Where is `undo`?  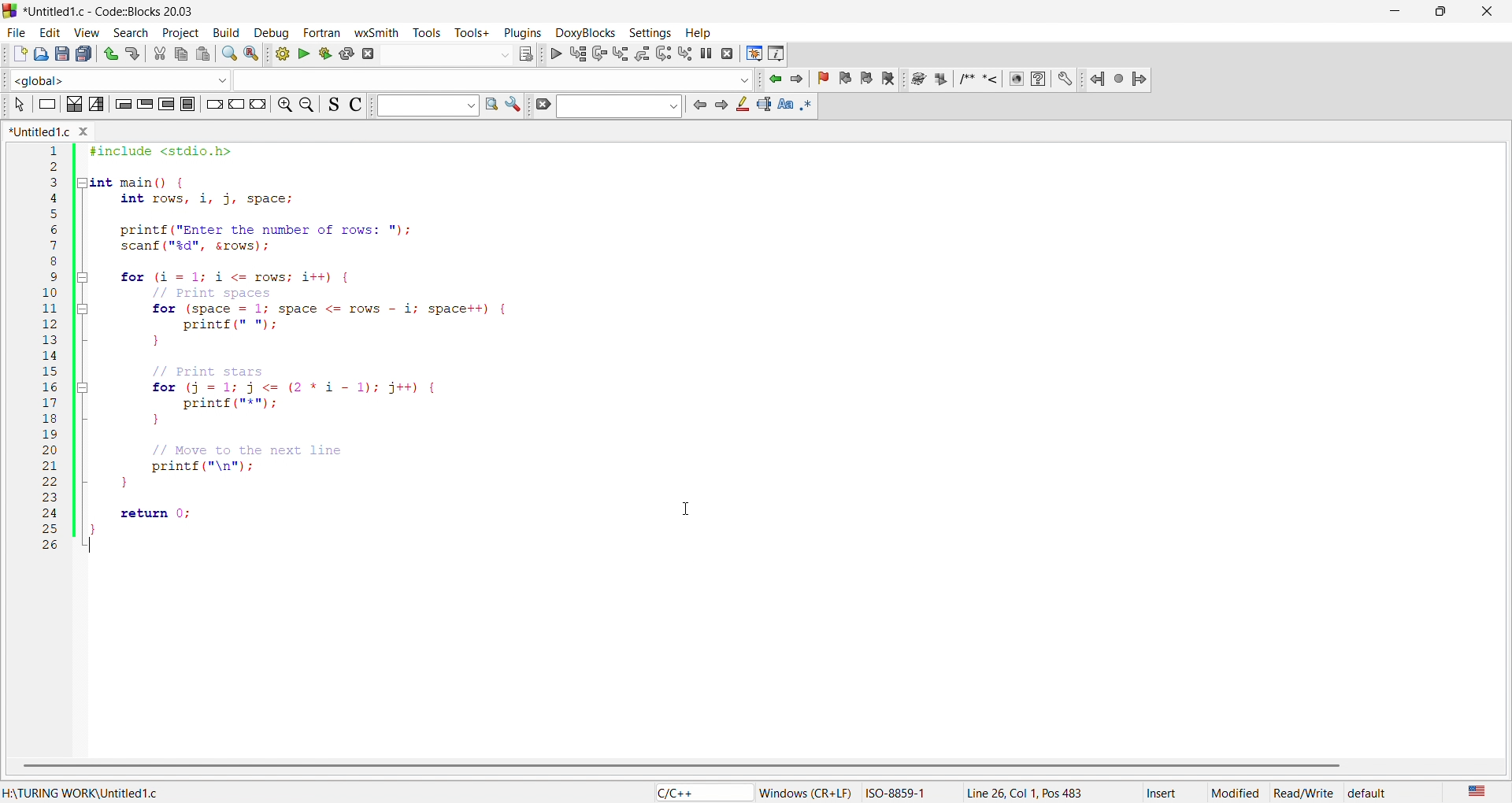
undo is located at coordinates (108, 54).